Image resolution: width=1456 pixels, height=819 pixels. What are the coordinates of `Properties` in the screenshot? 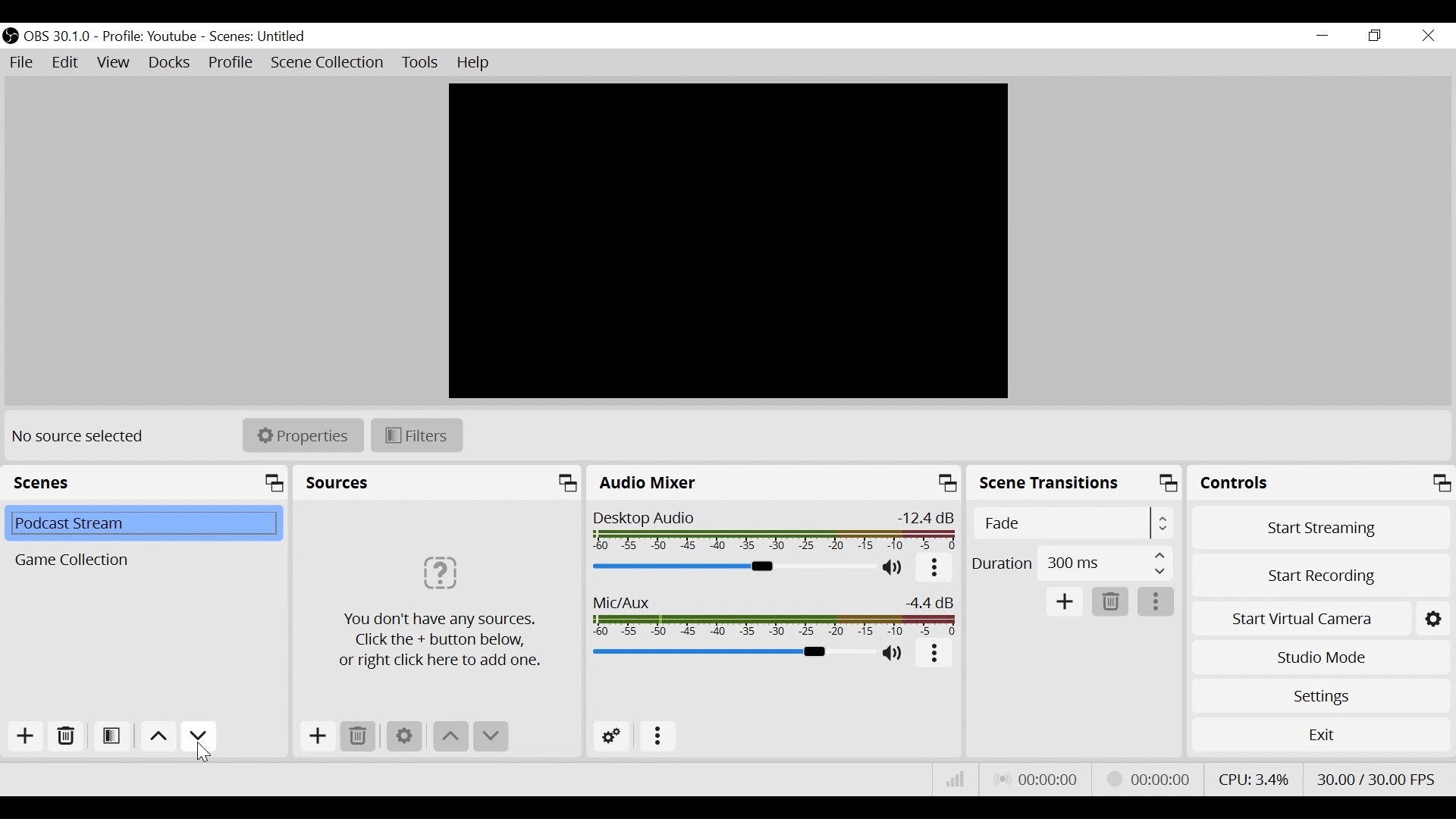 It's located at (302, 435).